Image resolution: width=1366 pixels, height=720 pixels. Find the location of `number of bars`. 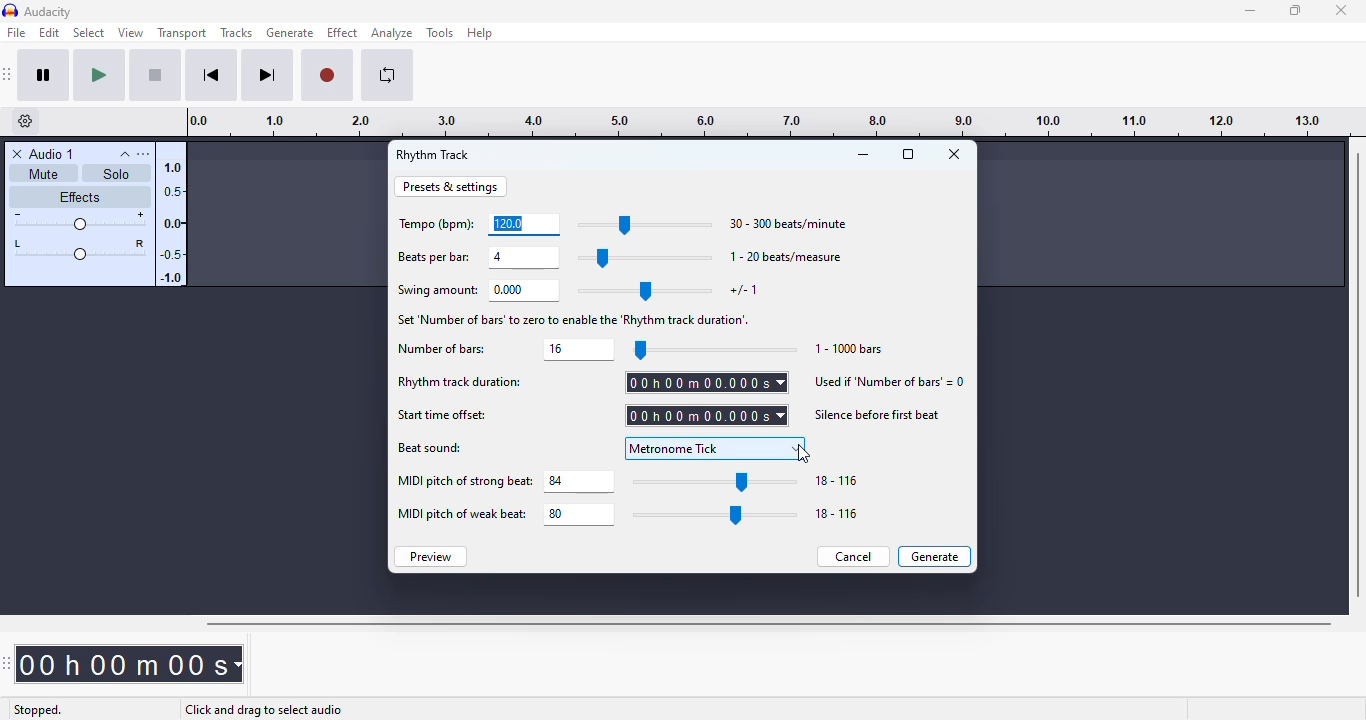

number of bars is located at coordinates (442, 349).